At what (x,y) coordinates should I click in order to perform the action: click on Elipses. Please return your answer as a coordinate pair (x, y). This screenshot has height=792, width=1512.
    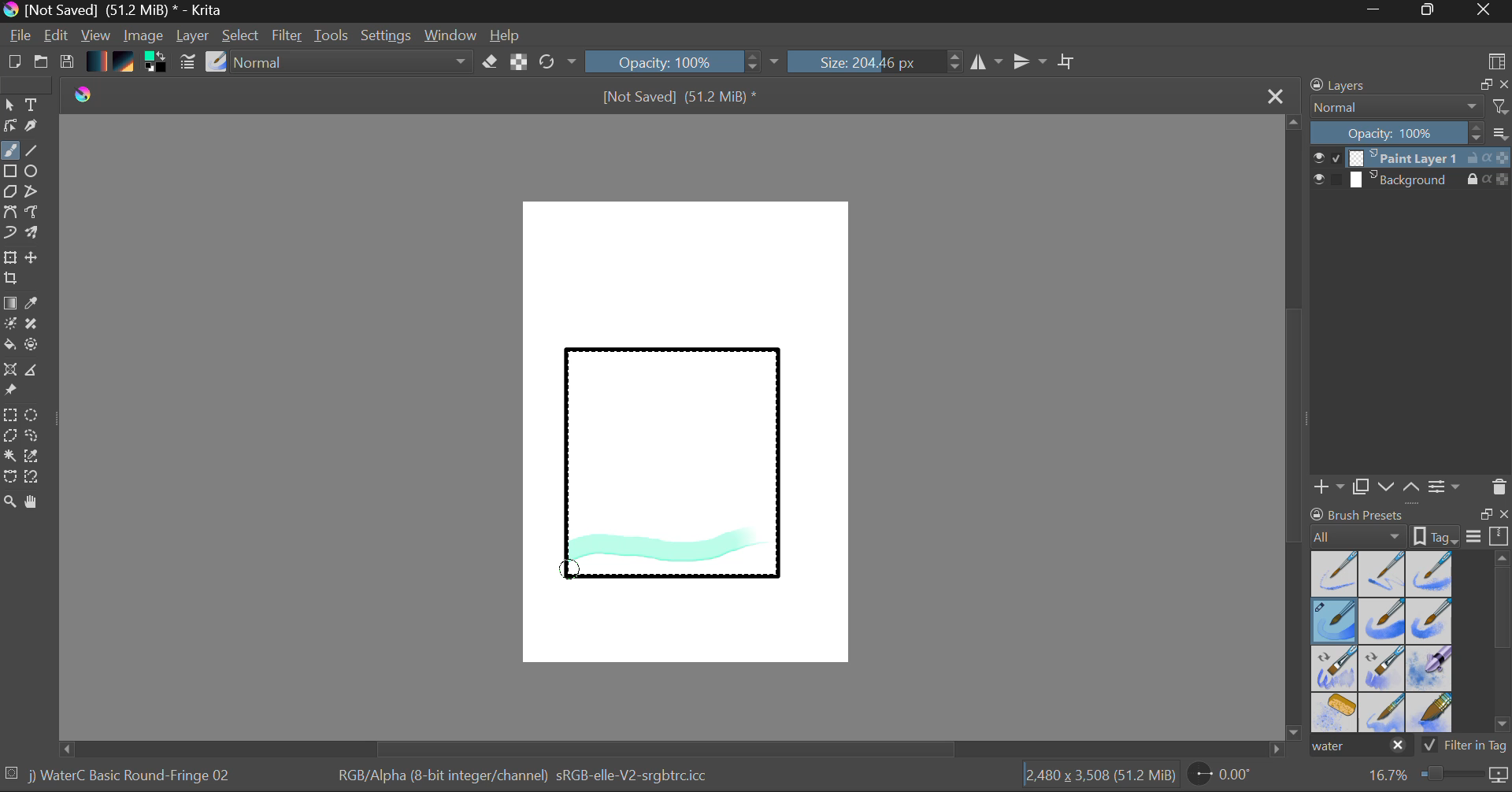
    Looking at the image, I should click on (34, 172).